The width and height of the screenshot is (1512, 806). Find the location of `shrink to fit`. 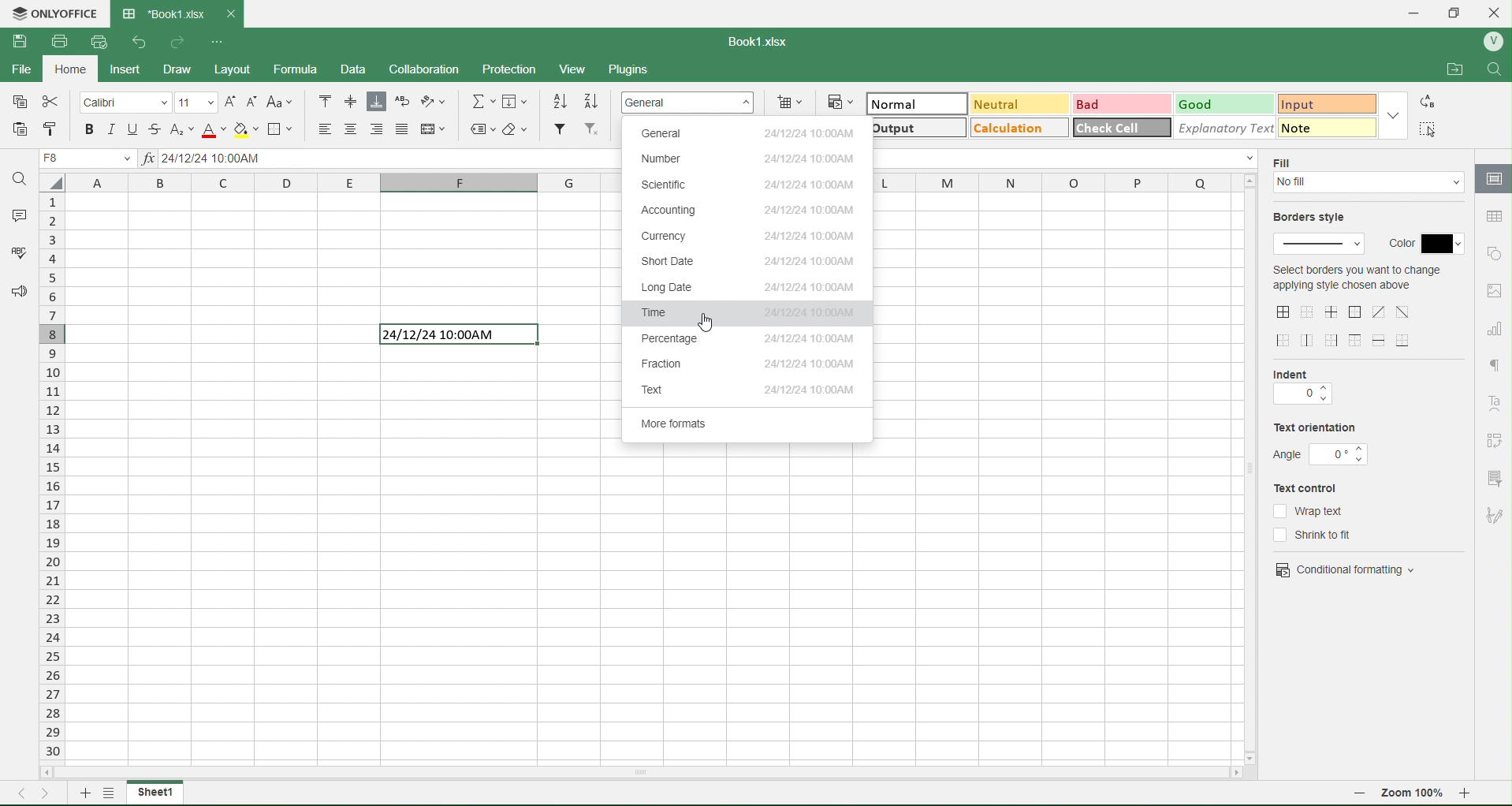

shrink to fit is located at coordinates (1322, 535).